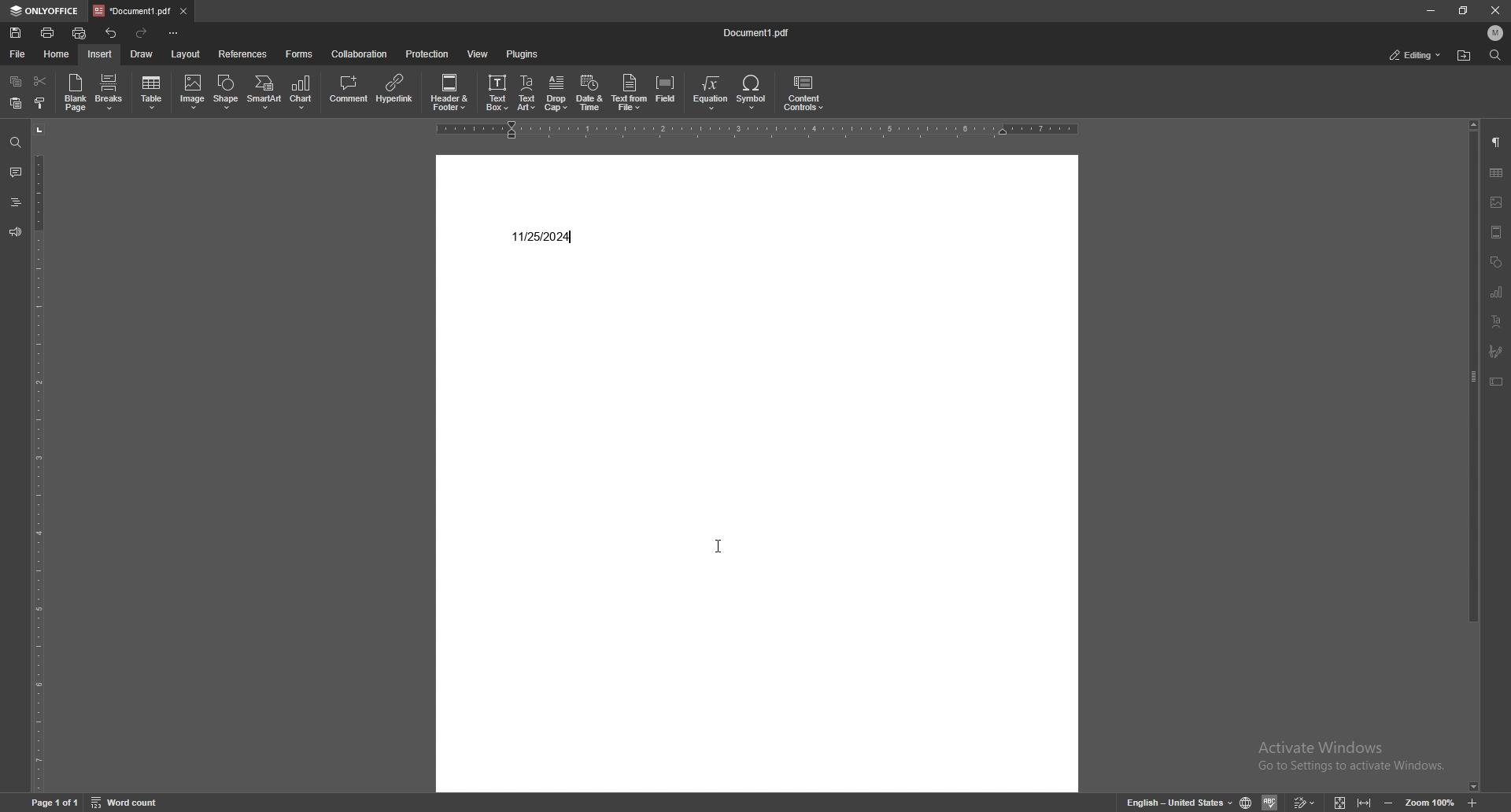 This screenshot has height=812, width=1511. What do you see at coordinates (428, 54) in the screenshot?
I see `protection` at bounding box center [428, 54].